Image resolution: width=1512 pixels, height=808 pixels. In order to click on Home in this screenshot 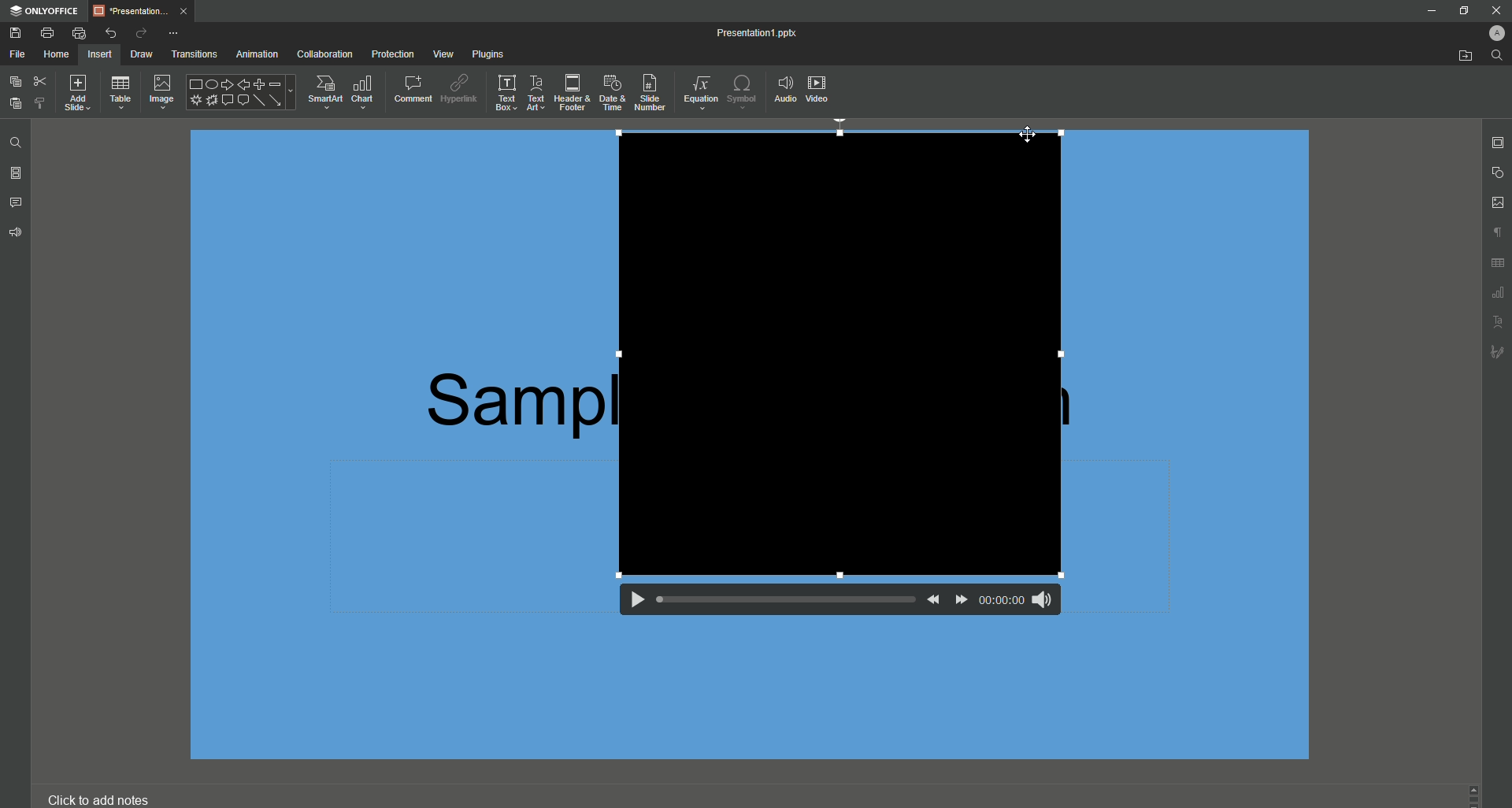, I will do `click(57, 55)`.